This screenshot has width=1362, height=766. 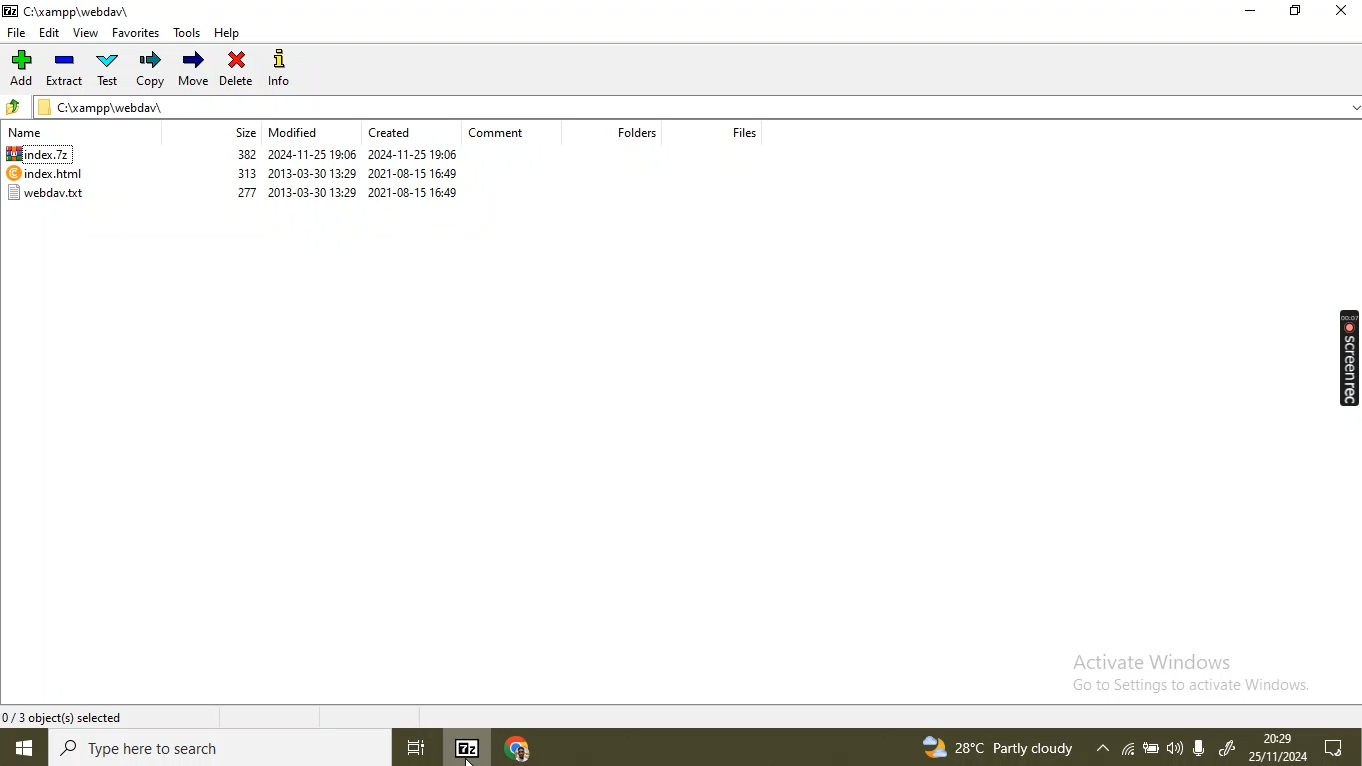 What do you see at coordinates (727, 133) in the screenshot?
I see `files` at bounding box center [727, 133].